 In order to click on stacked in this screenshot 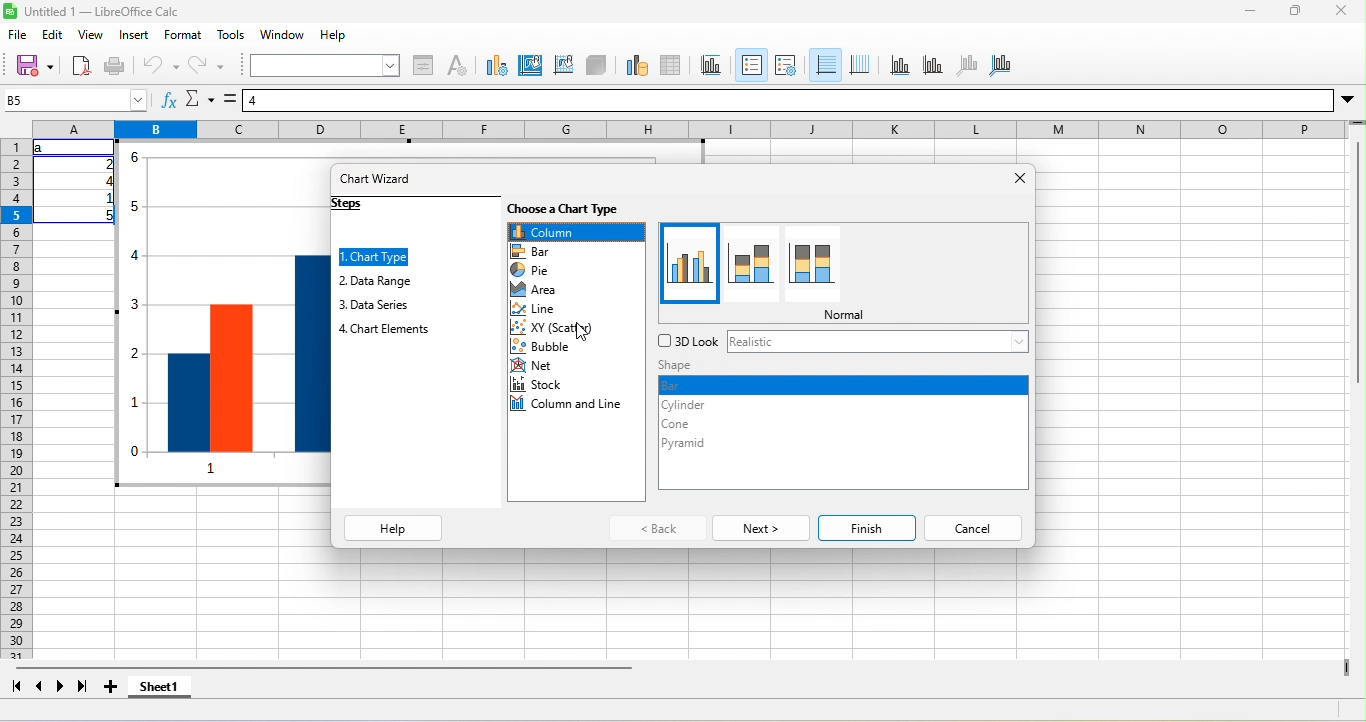, I will do `click(751, 264)`.